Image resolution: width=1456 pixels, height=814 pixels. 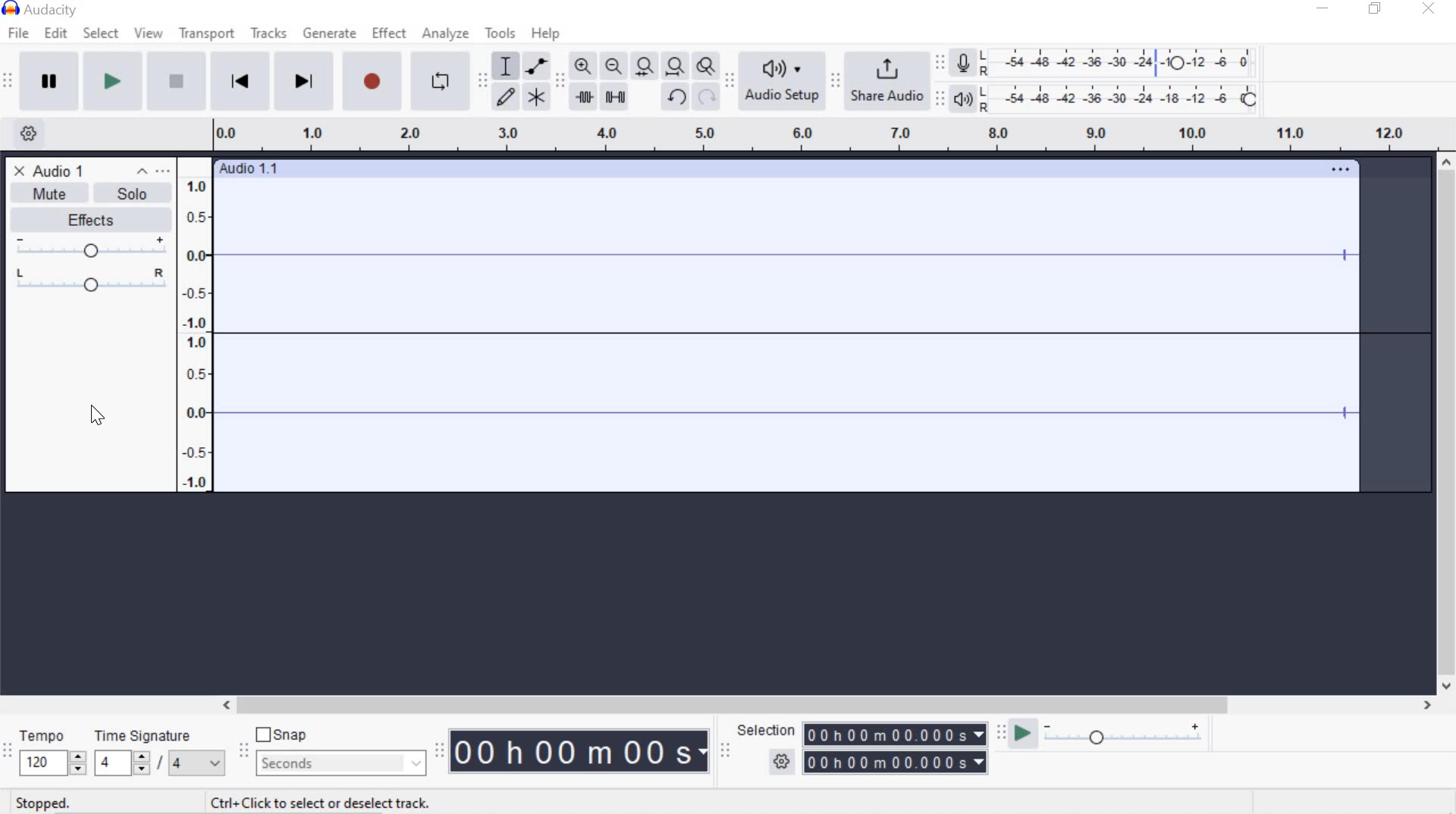 What do you see at coordinates (966, 99) in the screenshot?
I see `Playback meter` at bounding box center [966, 99].